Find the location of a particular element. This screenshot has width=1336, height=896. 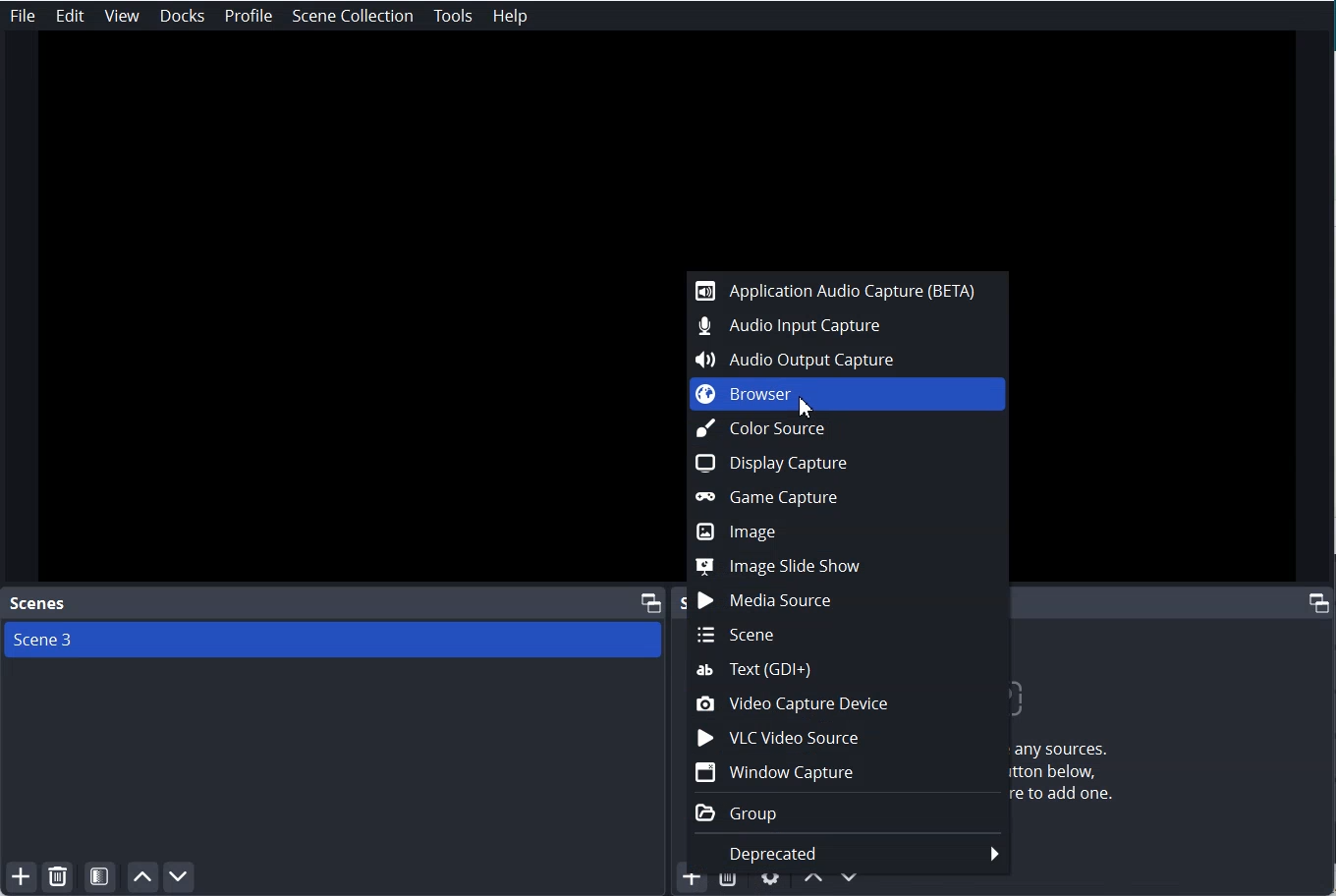

Scene is located at coordinates (847, 636).